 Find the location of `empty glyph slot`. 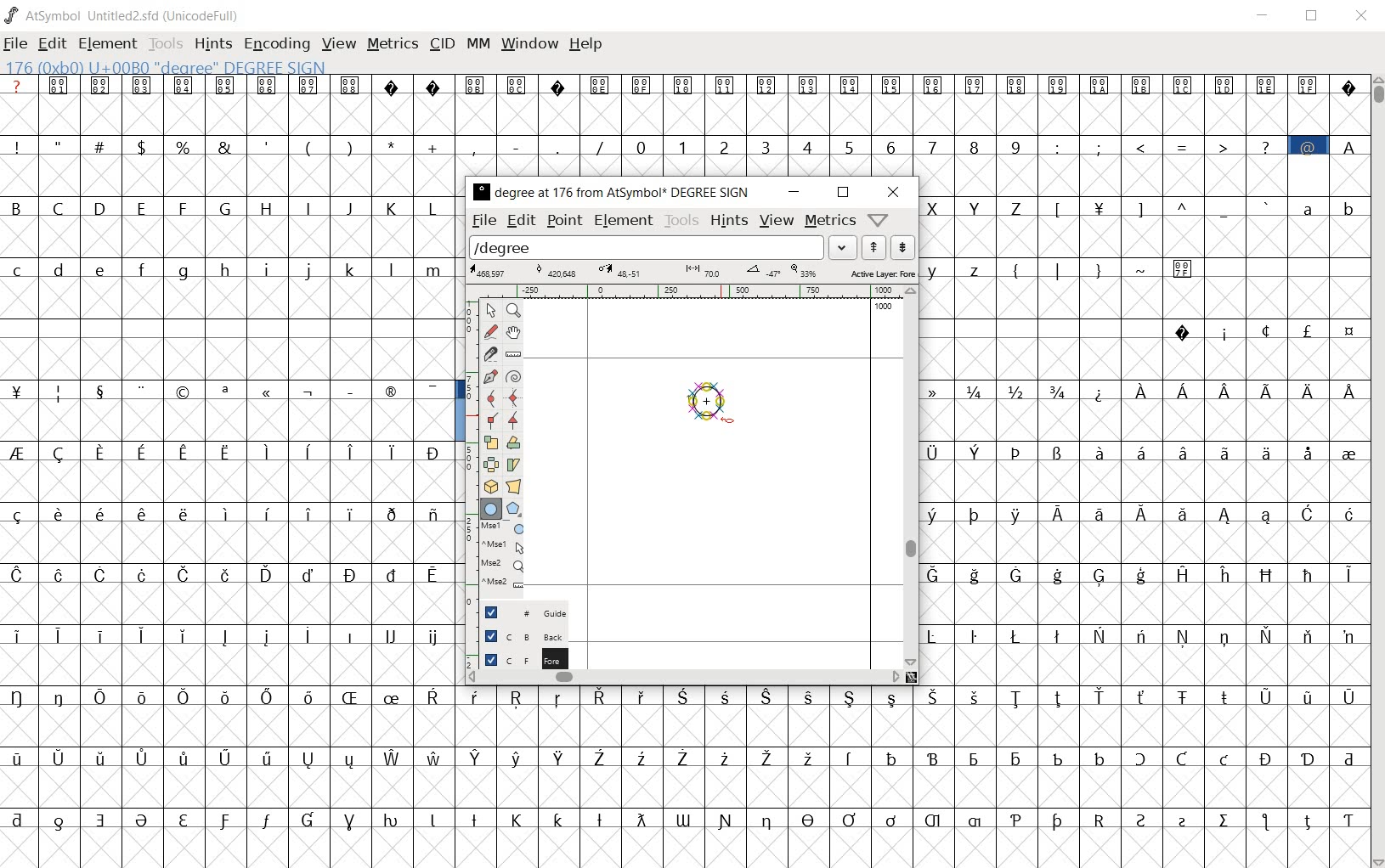

empty glyph slot is located at coordinates (681, 847).